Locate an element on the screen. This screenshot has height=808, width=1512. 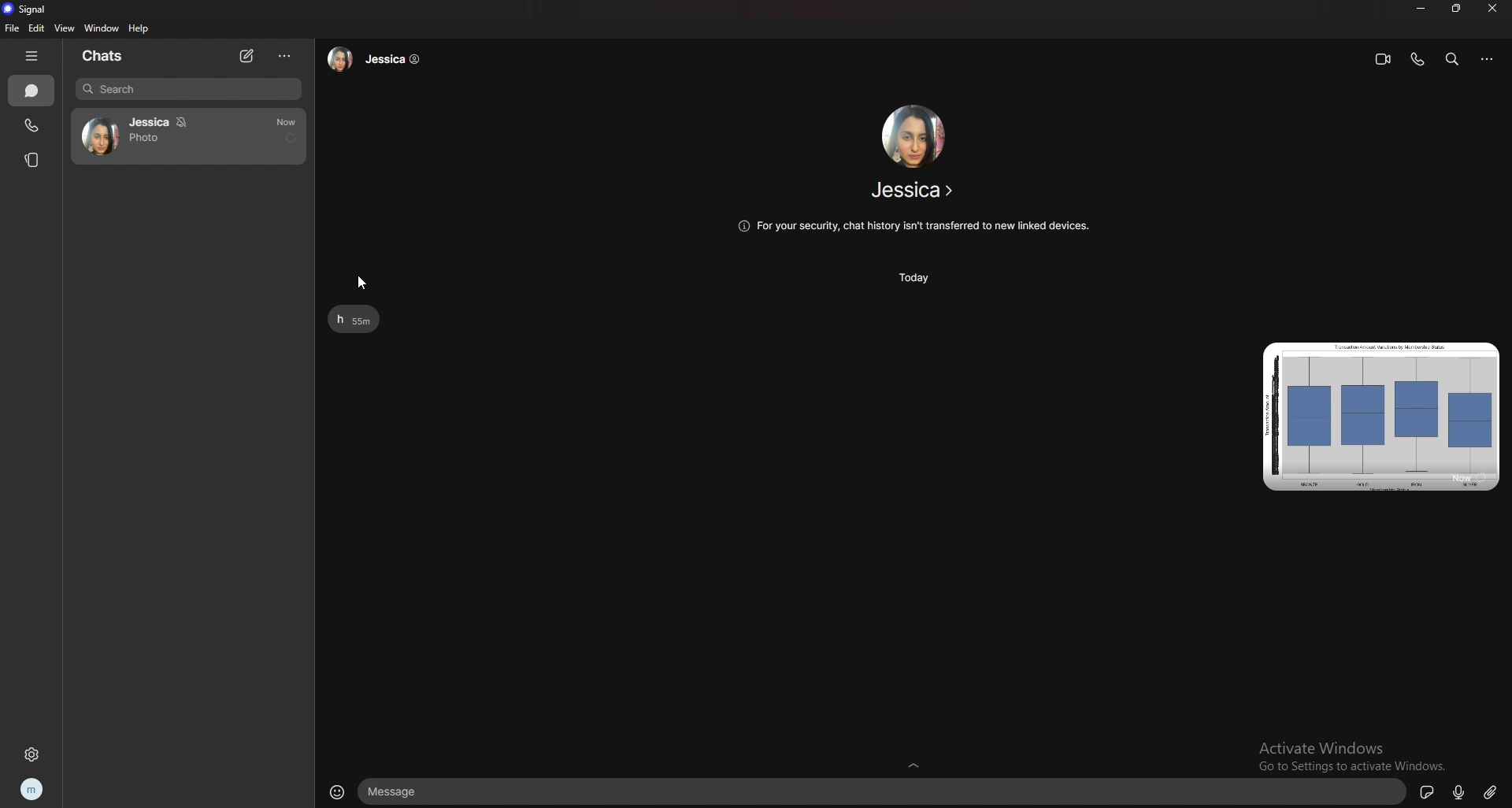
contact photo is located at coordinates (914, 136).